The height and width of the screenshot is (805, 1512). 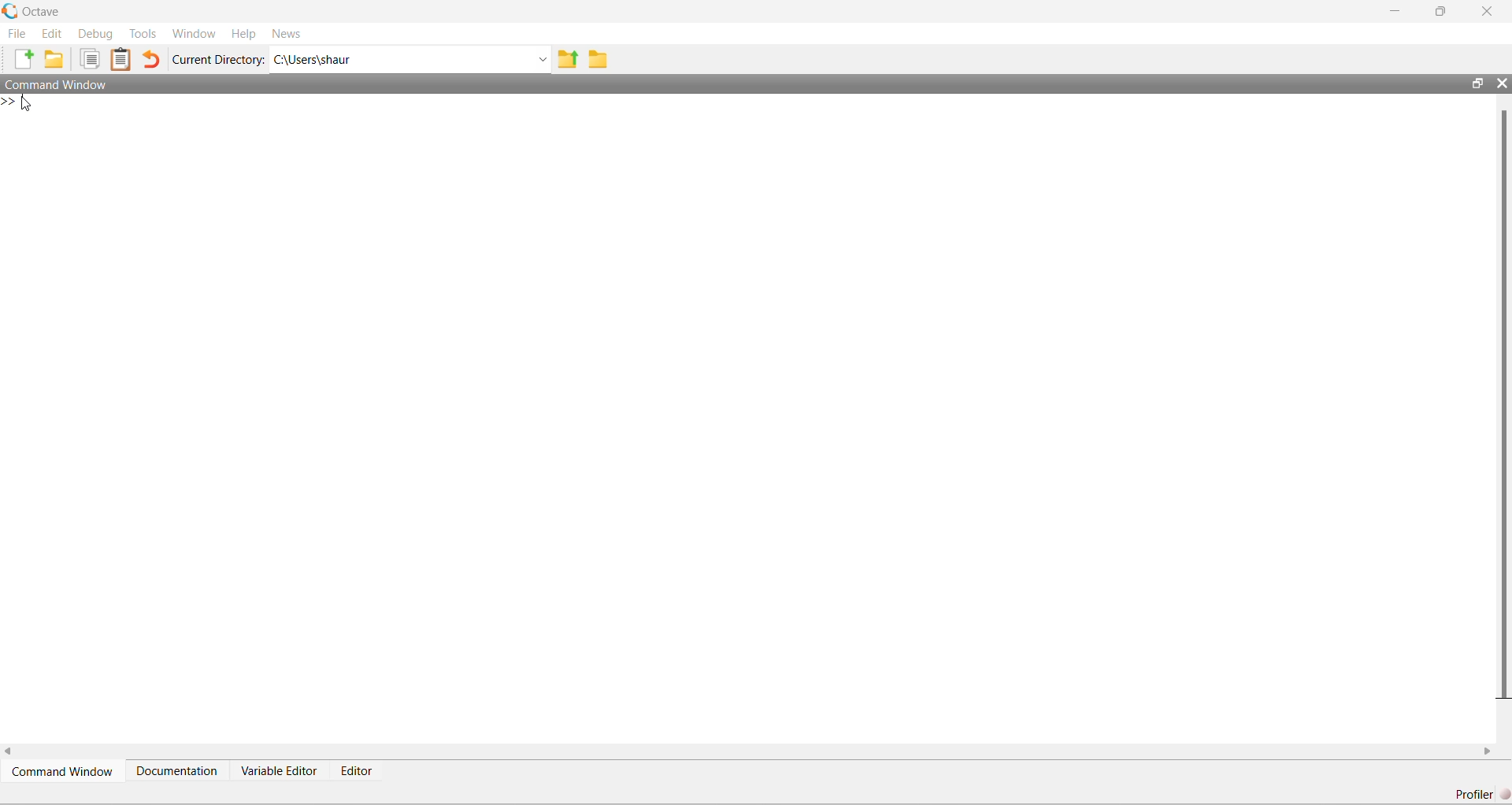 What do you see at coordinates (1440, 11) in the screenshot?
I see `maximize` at bounding box center [1440, 11].